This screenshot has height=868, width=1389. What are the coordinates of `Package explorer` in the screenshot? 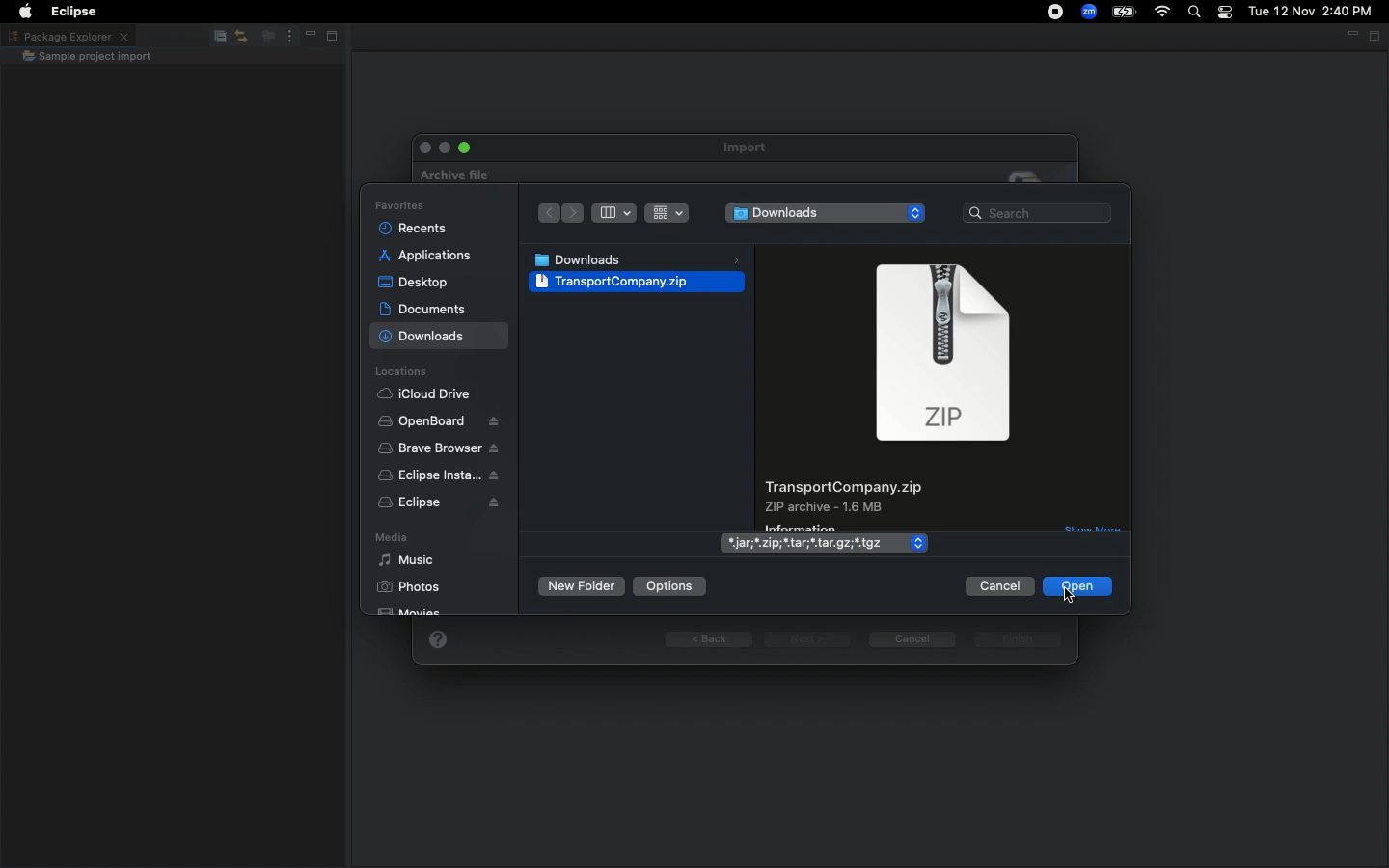 It's located at (68, 36).